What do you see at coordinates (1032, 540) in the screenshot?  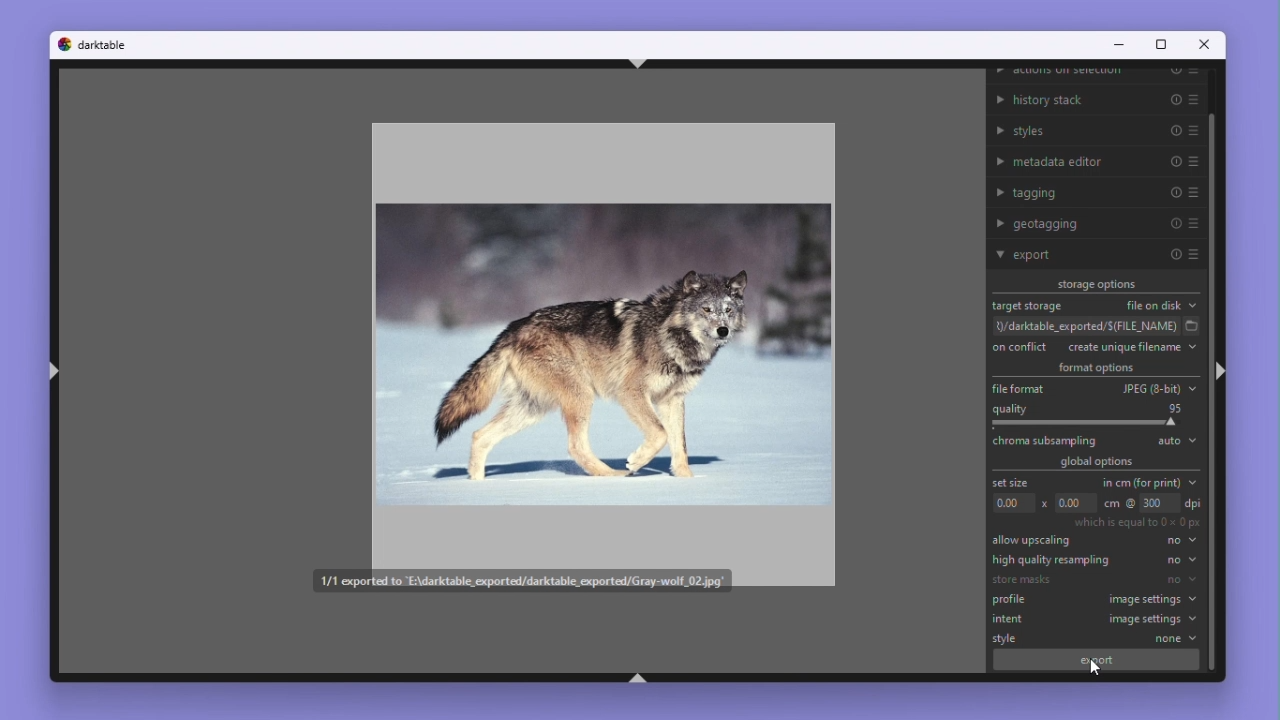 I see `Allow Up scale` at bounding box center [1032, 540].